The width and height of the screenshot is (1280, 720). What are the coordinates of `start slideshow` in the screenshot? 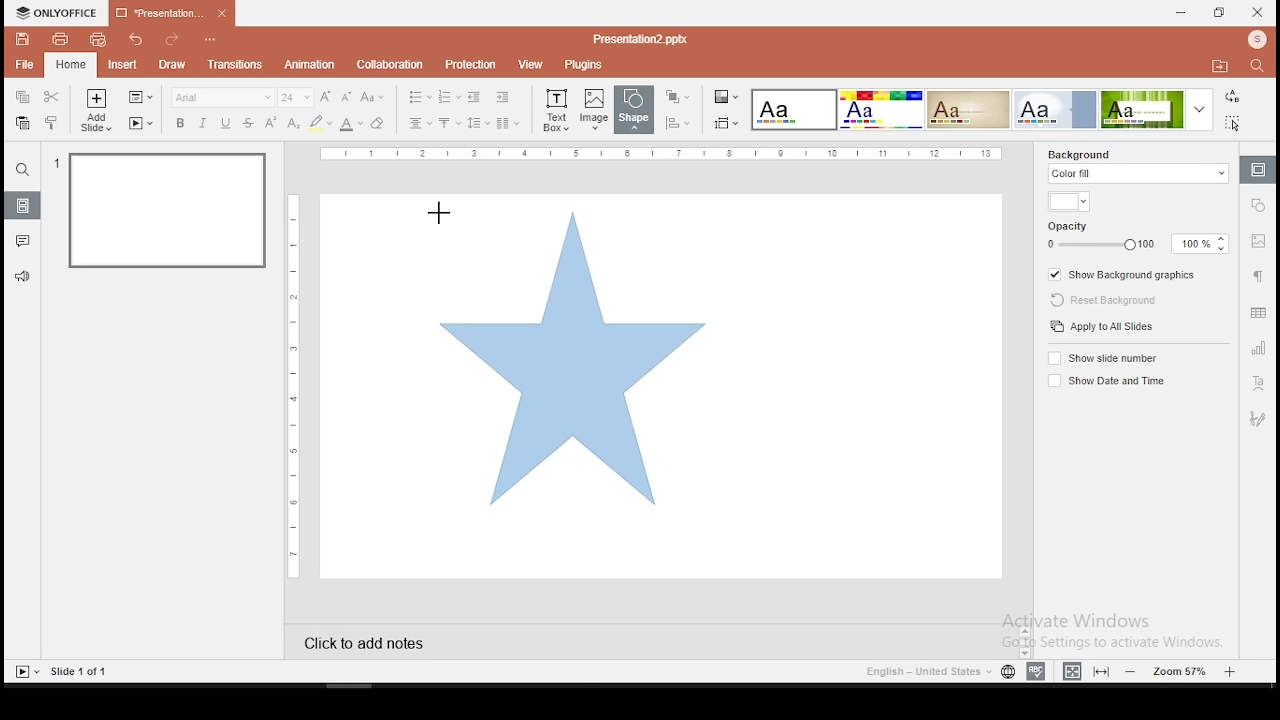 It's located at (141, 123).